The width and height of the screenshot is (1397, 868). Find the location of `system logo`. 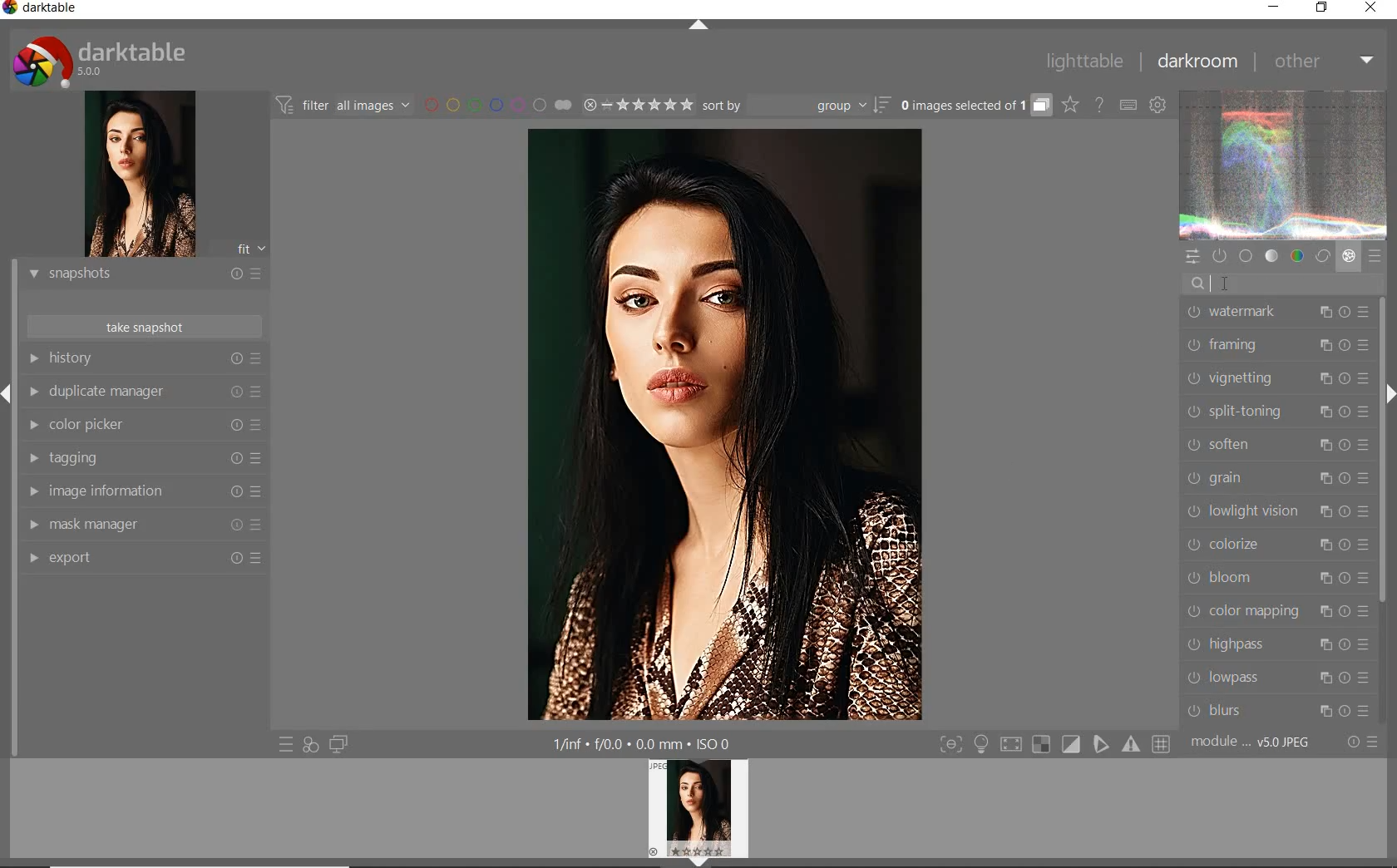

system logo is located at coordinates (102, 61).